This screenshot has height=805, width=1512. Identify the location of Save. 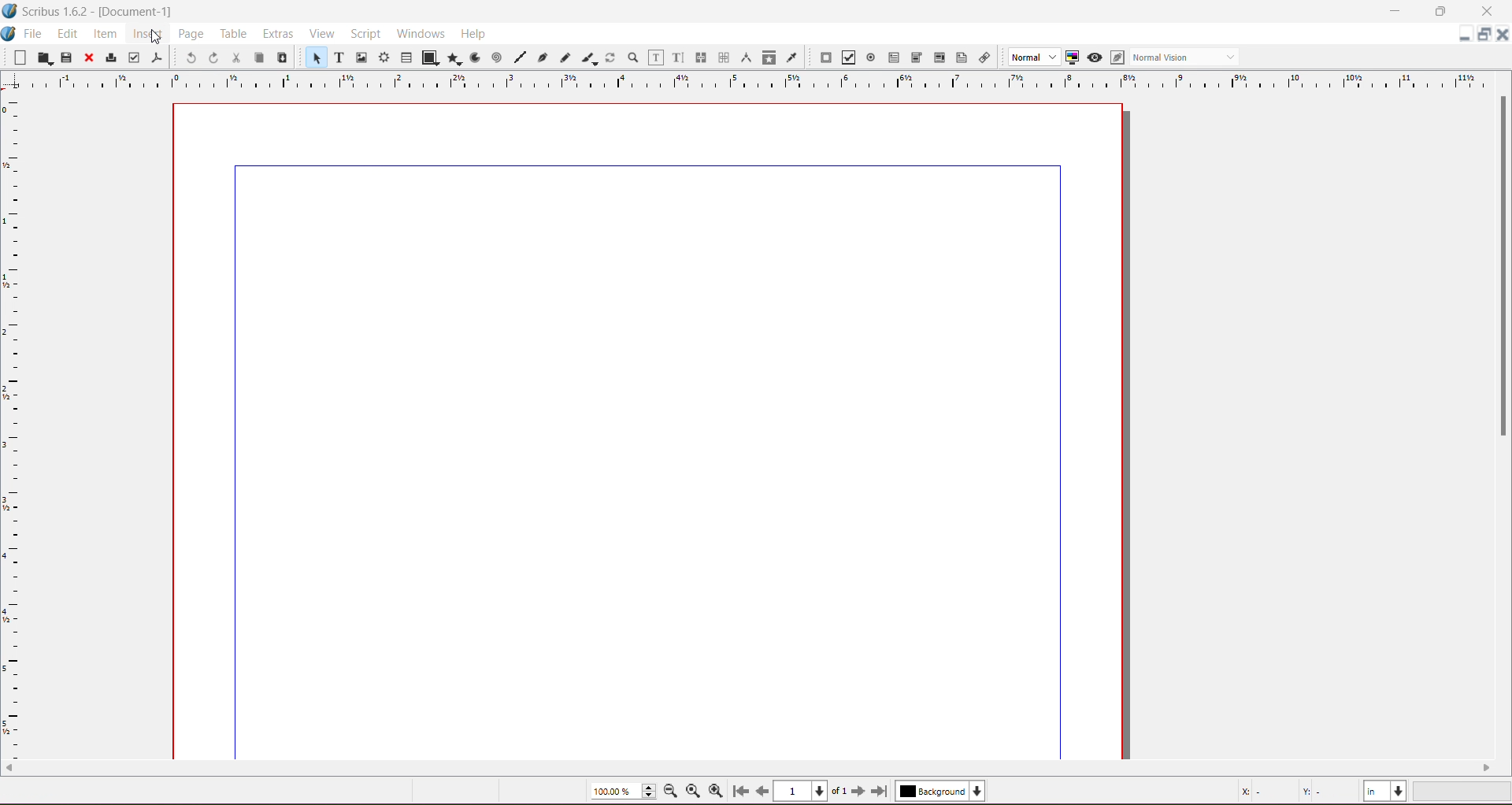
(67, 57).